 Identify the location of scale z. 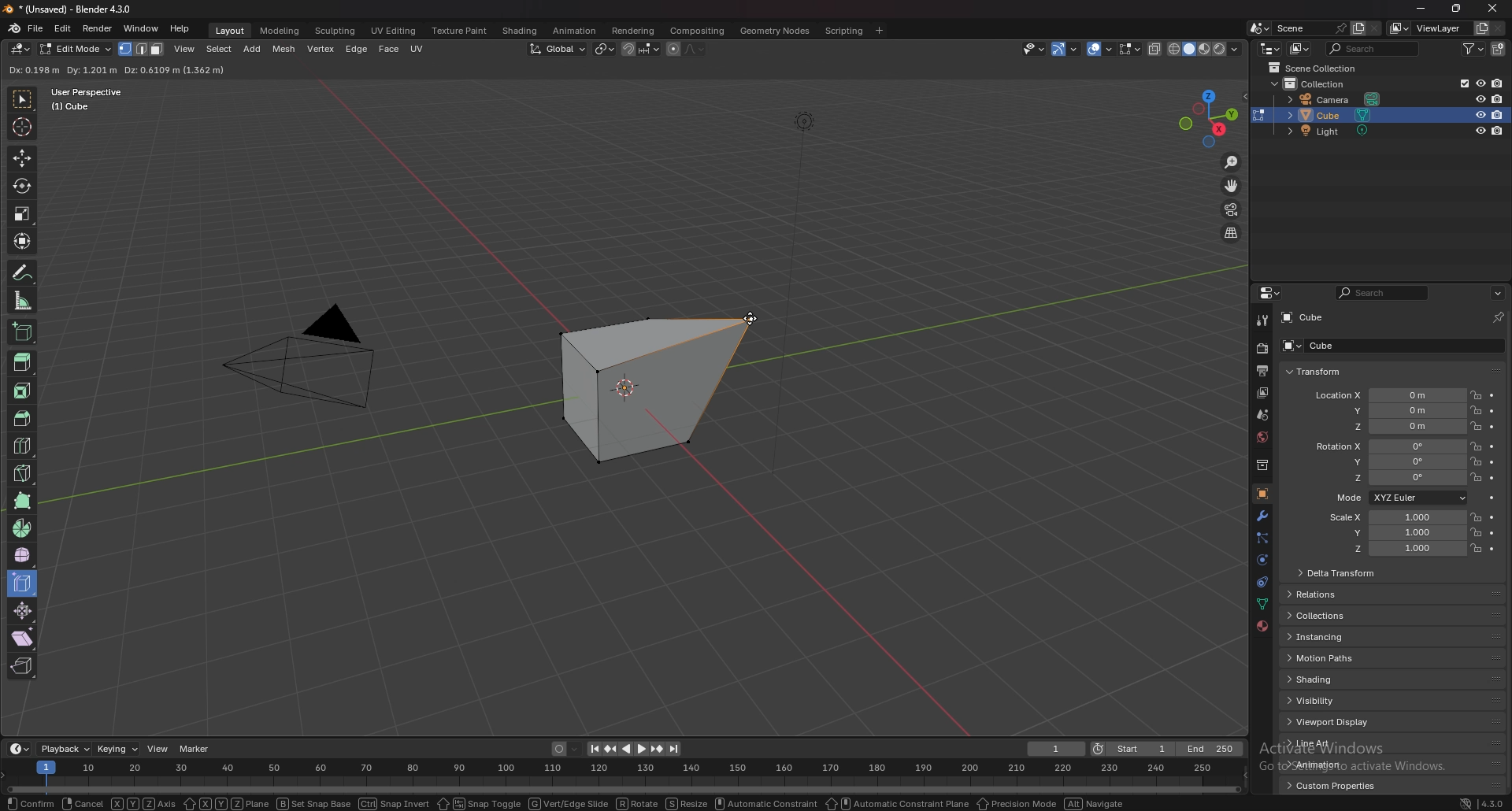
(1399, 550).